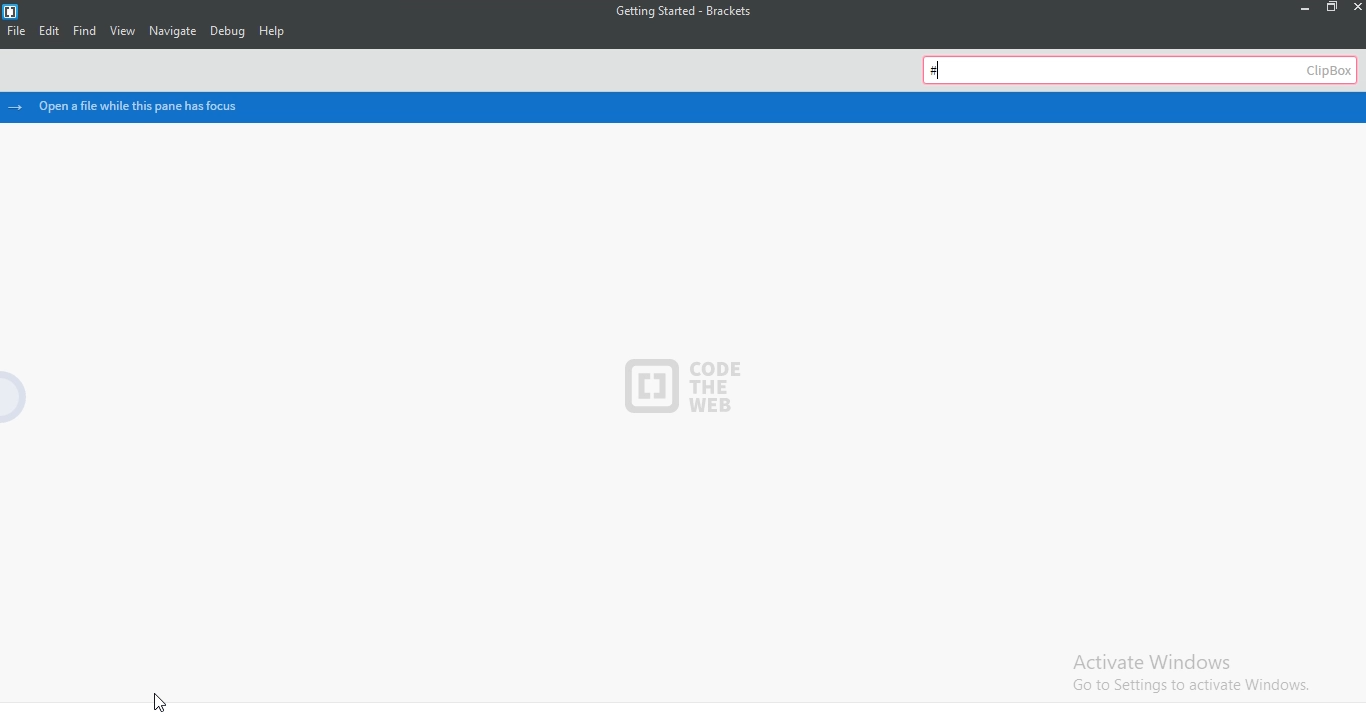 This screenshot has width=1366, height=724. What do you see at coordinates (13, 32) in the screenshot?
I see `file` at bounding box center [13, 32].